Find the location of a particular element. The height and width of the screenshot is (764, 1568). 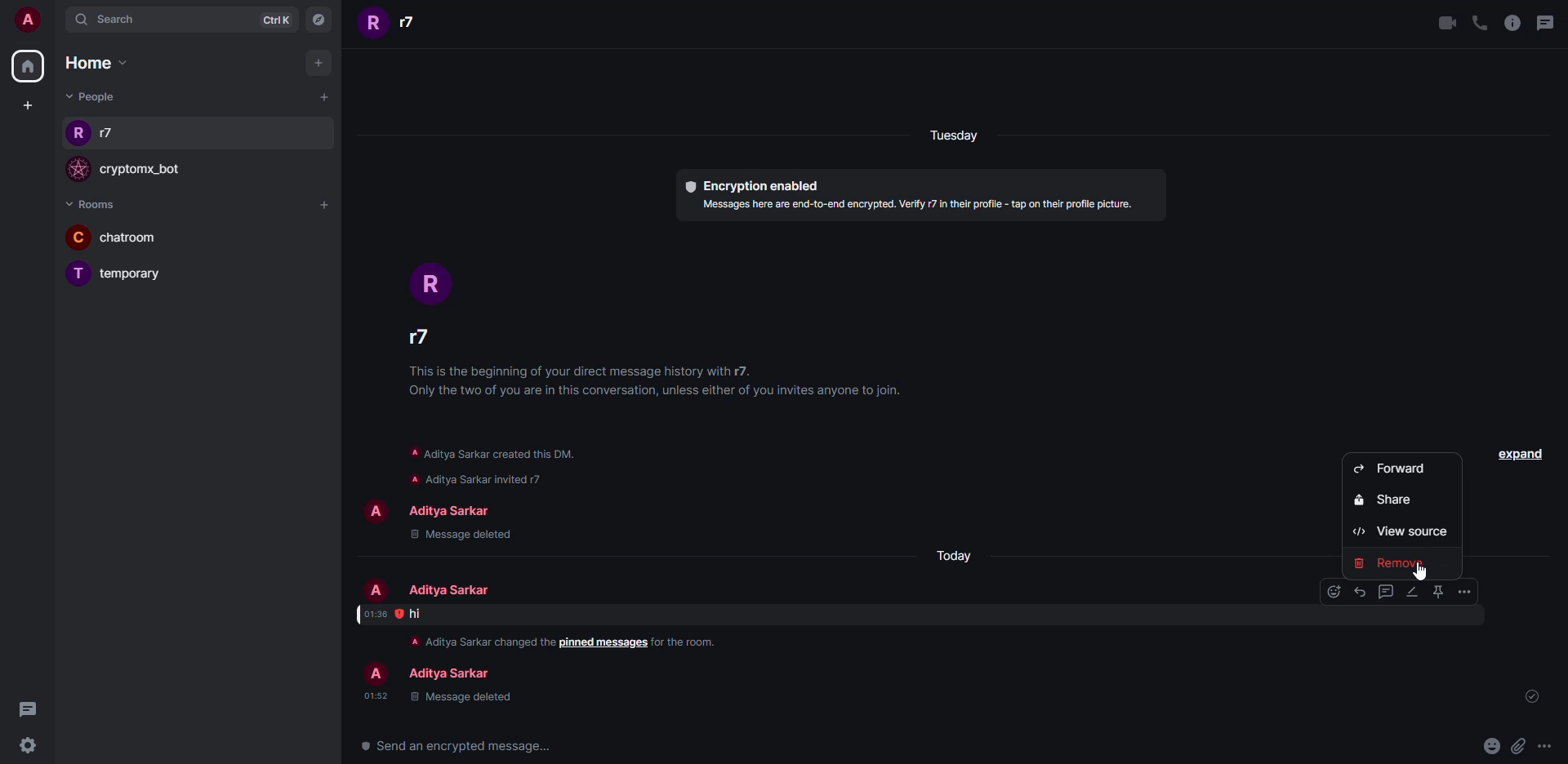

day is located at coordinates (973, 137).